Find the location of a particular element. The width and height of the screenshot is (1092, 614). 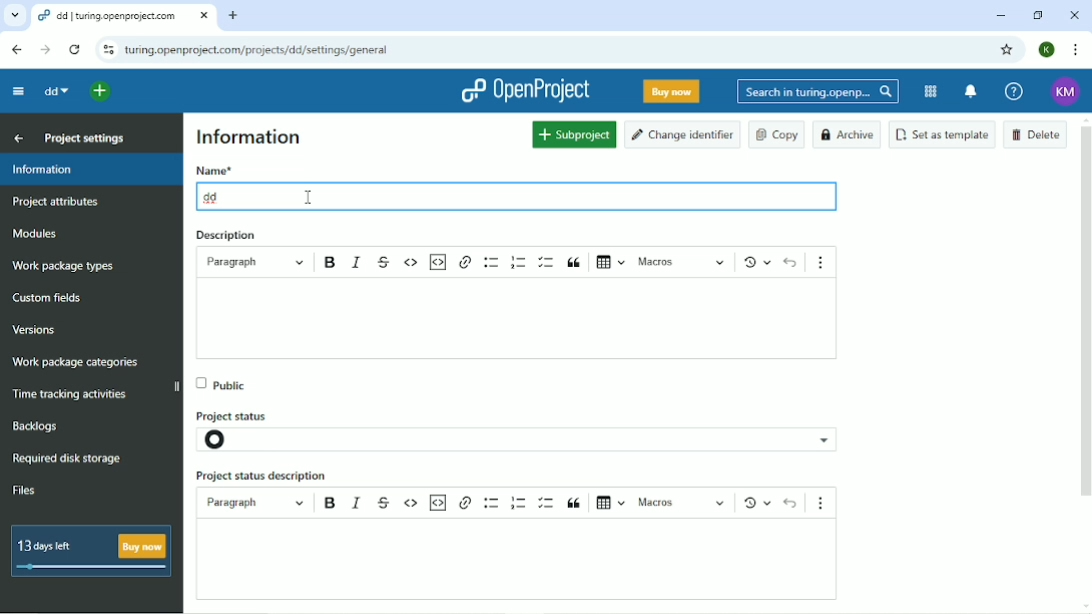

Information is located at coordinates (91, 171).